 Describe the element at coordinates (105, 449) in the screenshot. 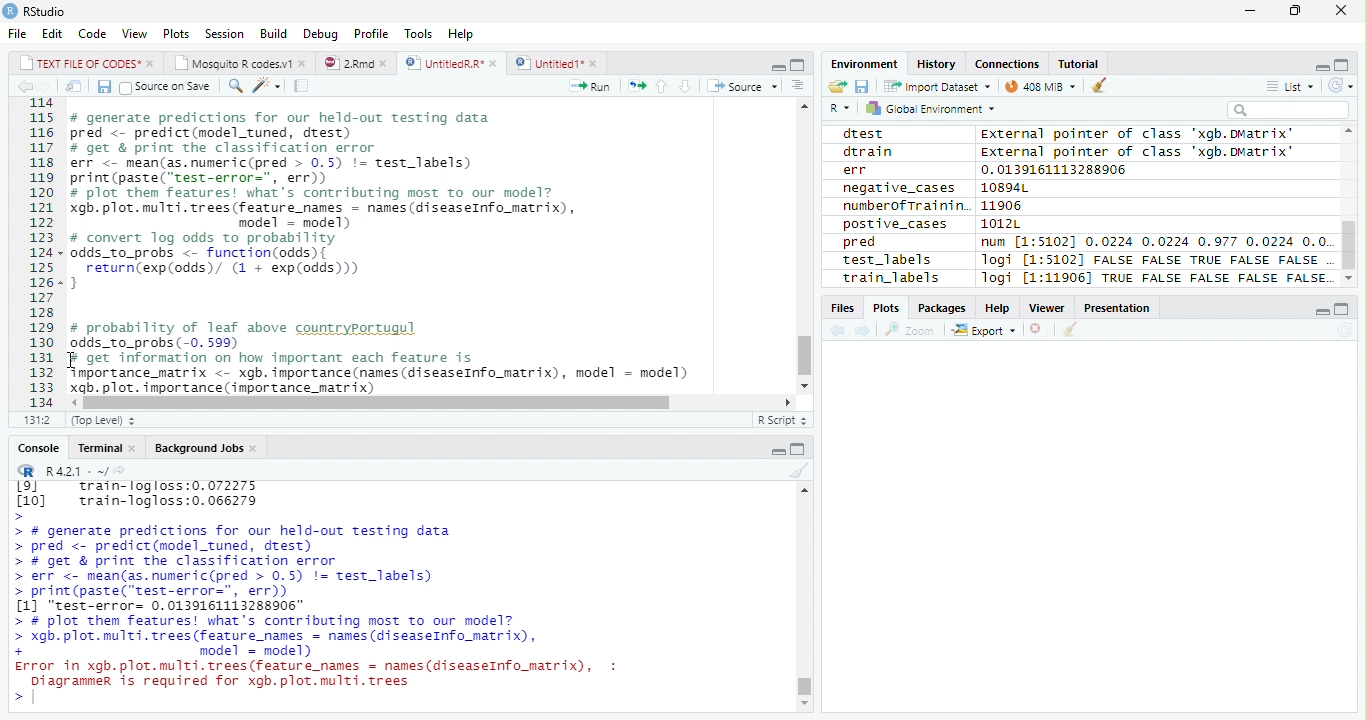

I see `Terminal` at that location.